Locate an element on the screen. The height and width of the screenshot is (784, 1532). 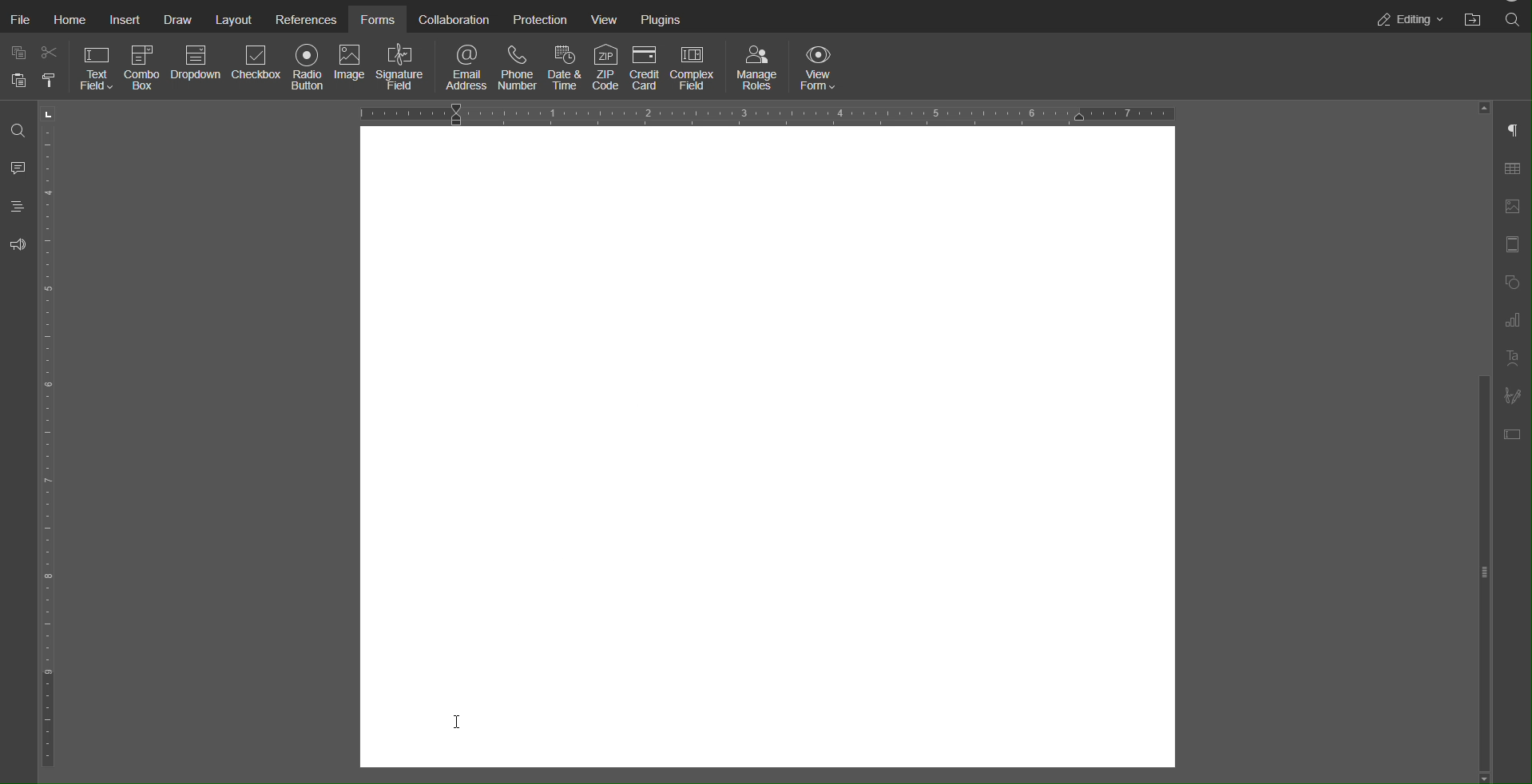
Header/Footer is located at coordinates (1513, 244).